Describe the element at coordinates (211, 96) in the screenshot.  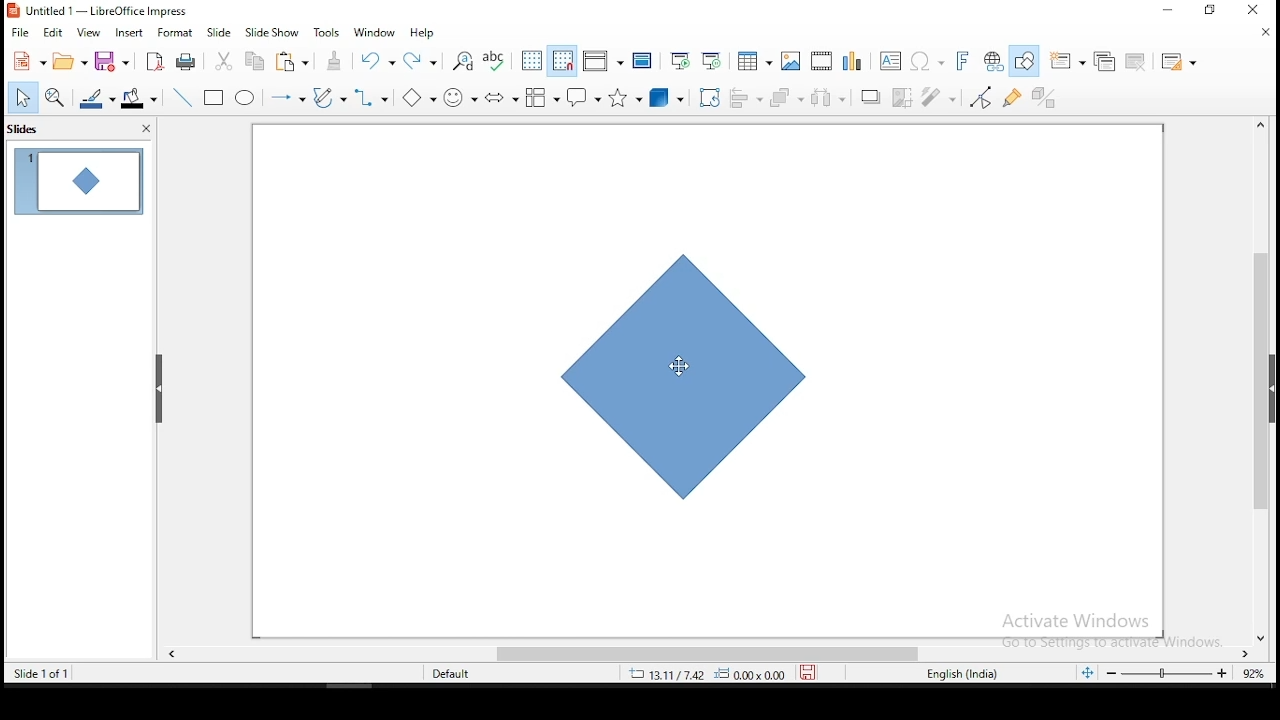
I see `rectangle` at that location.